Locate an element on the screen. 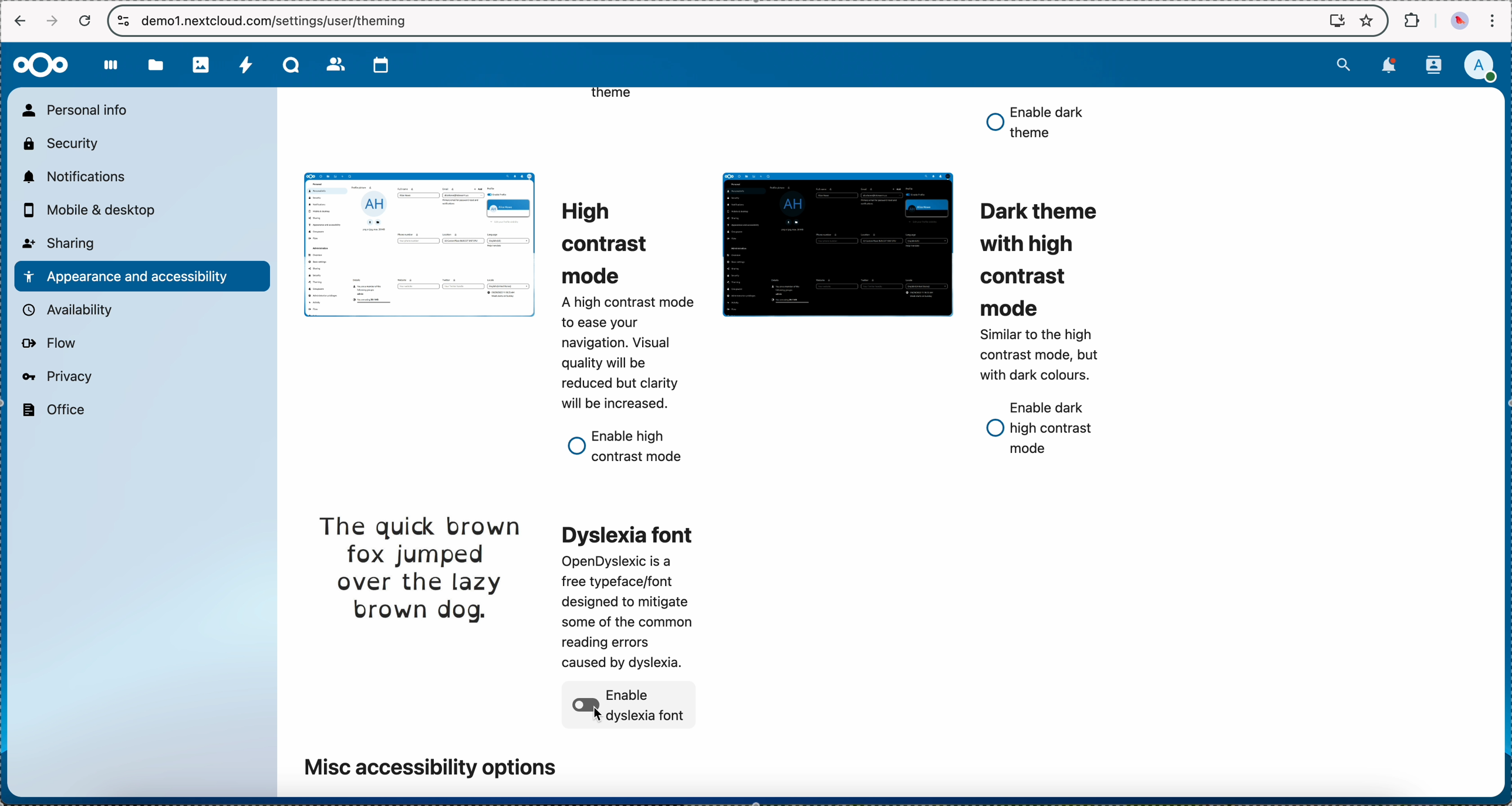 This screenshot has width=1512, height=806. contacts is located at coordinates (1433, 65).